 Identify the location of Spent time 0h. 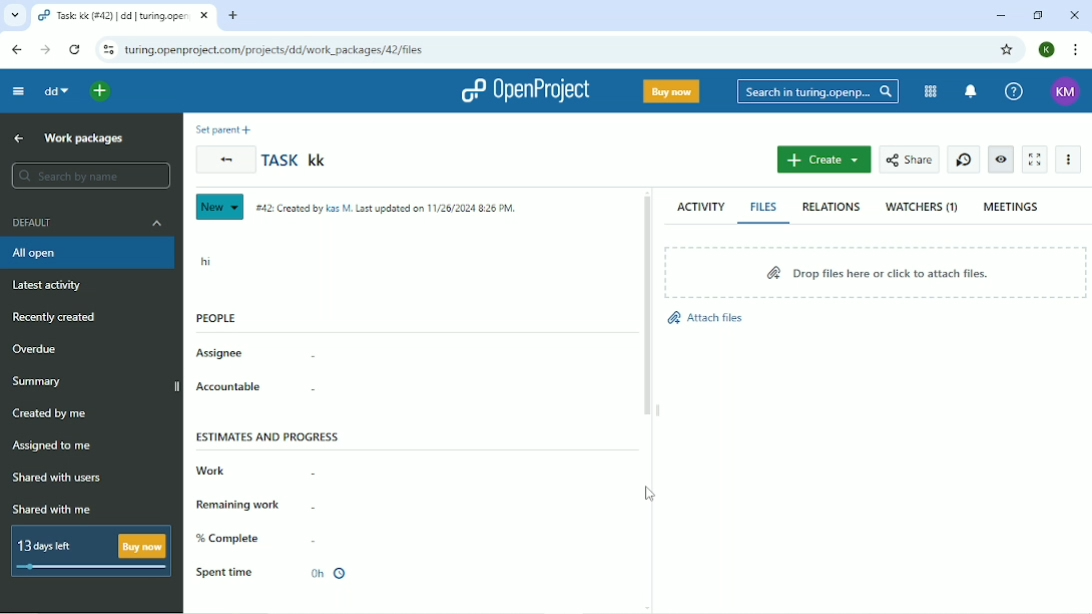
(278, 573).